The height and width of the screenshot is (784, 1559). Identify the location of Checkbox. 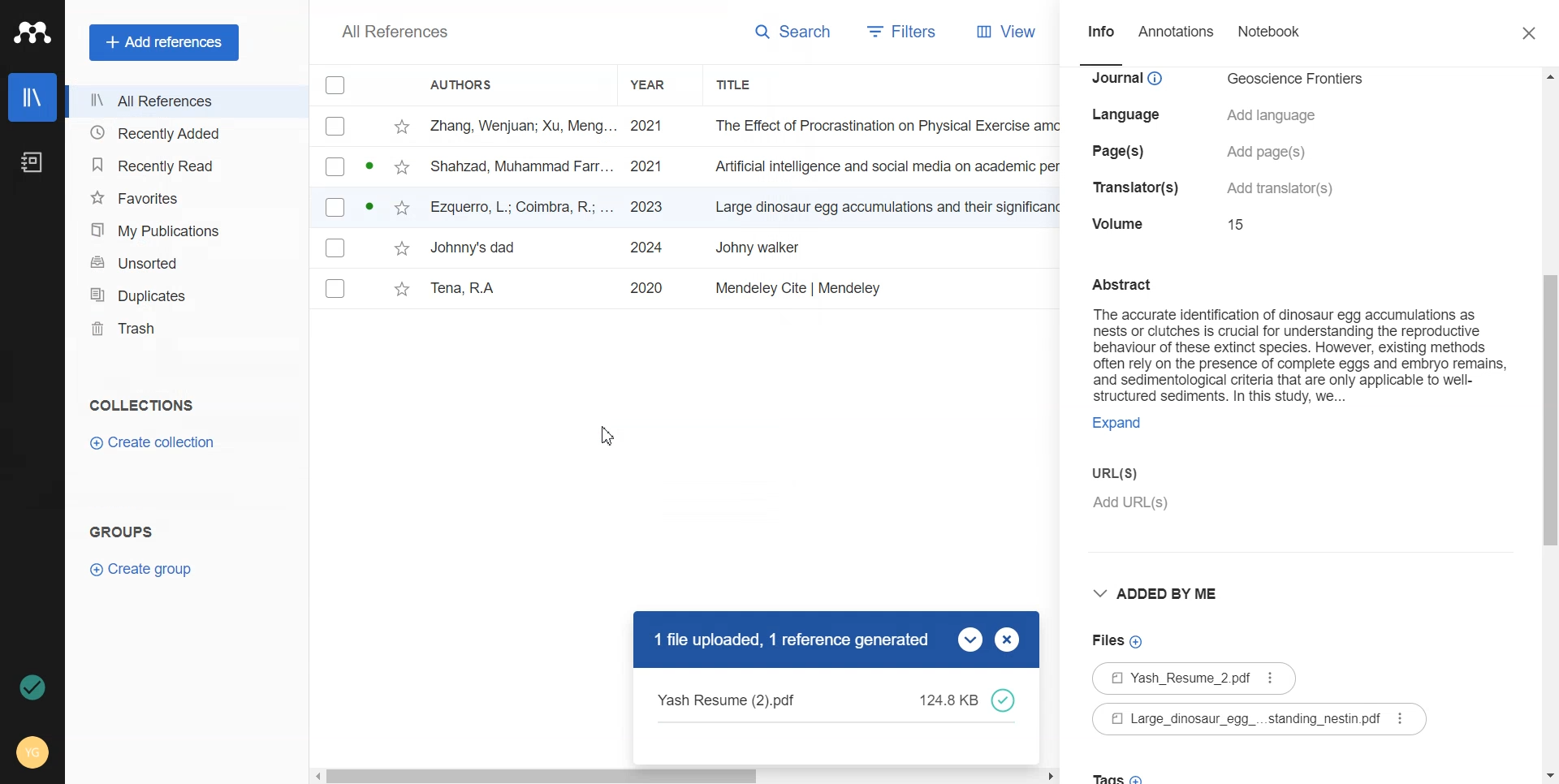
(336, 126).